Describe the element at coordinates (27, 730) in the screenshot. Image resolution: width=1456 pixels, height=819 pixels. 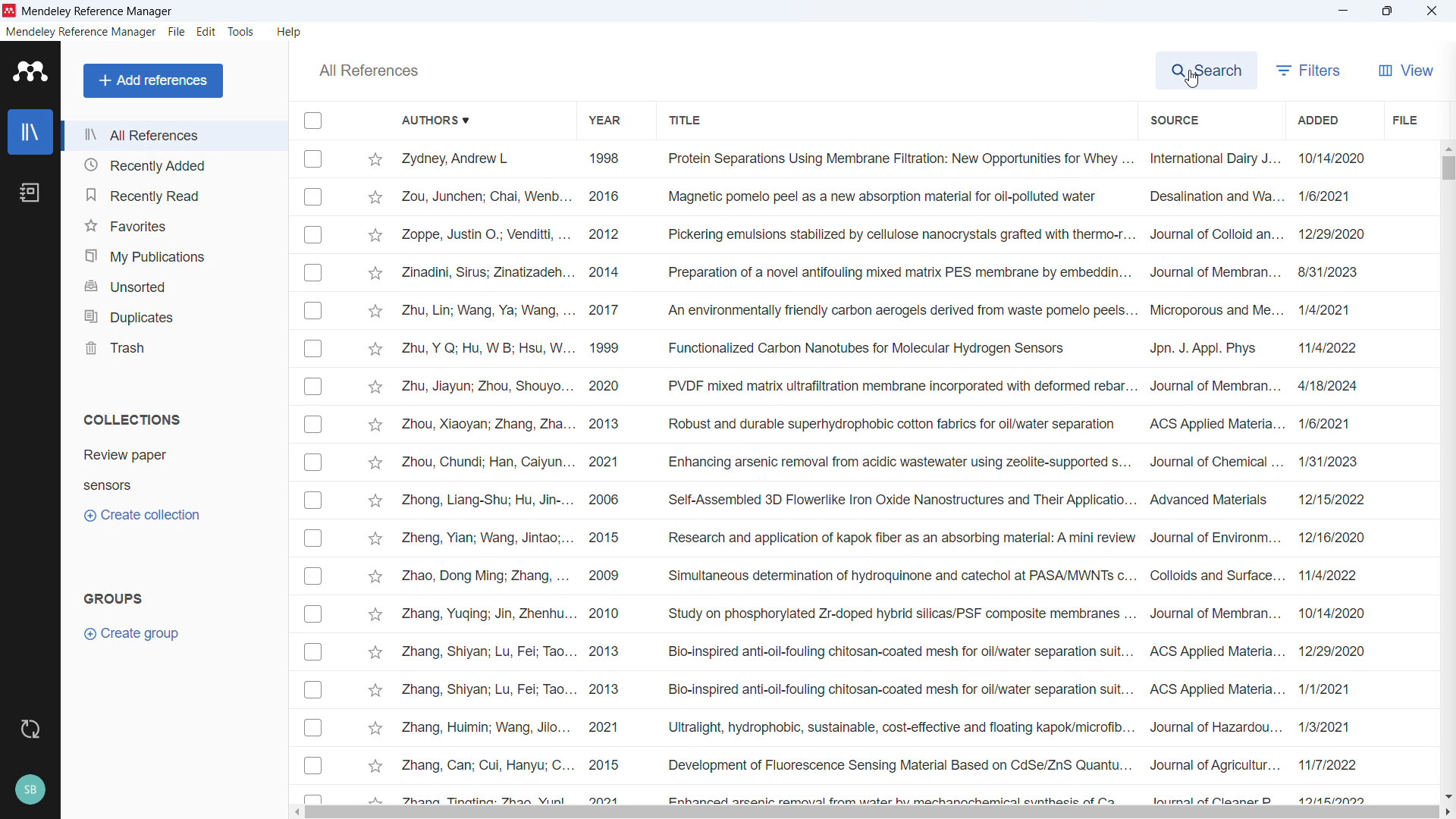
I see `Sync ` at that location.